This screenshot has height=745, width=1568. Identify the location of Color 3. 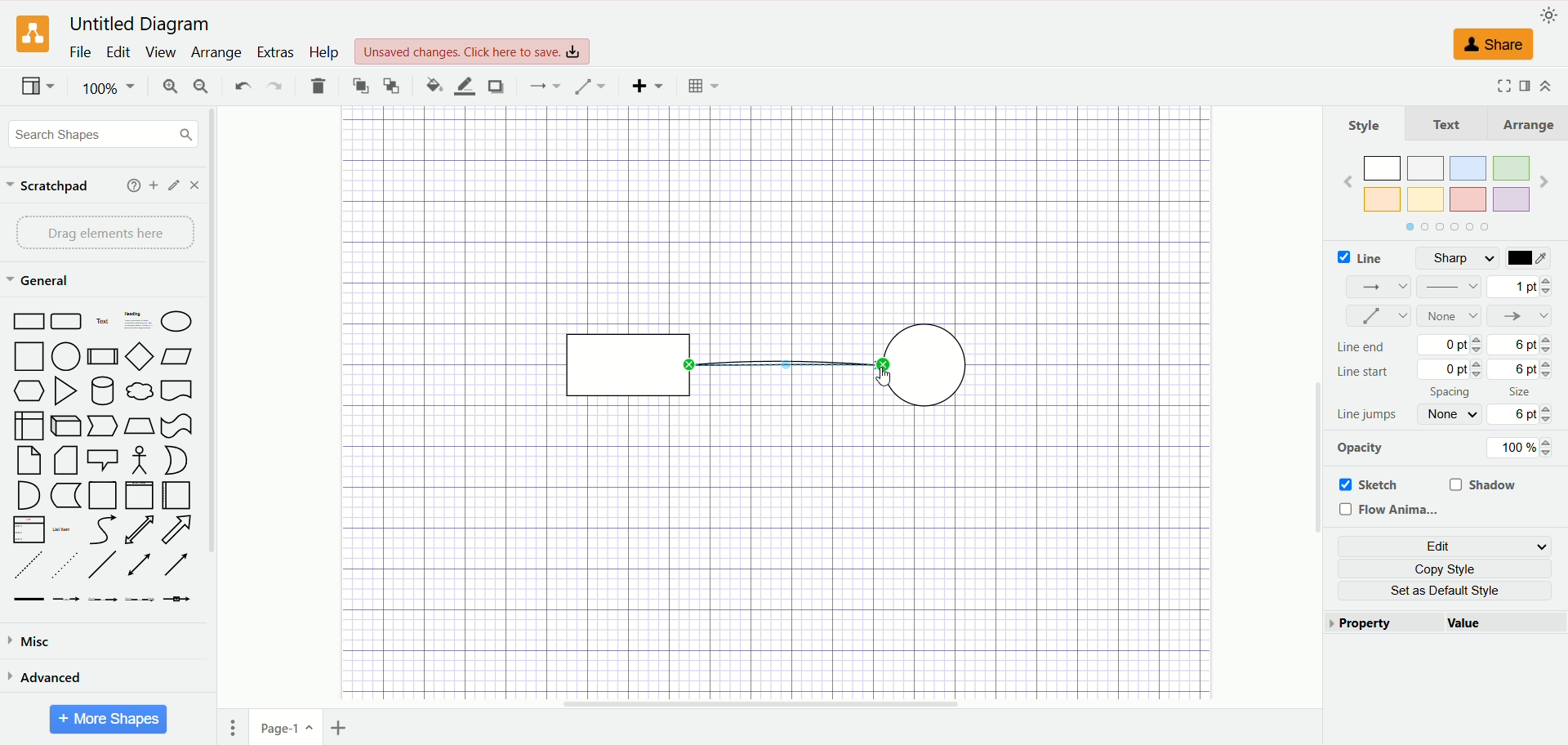
(1468, 168).